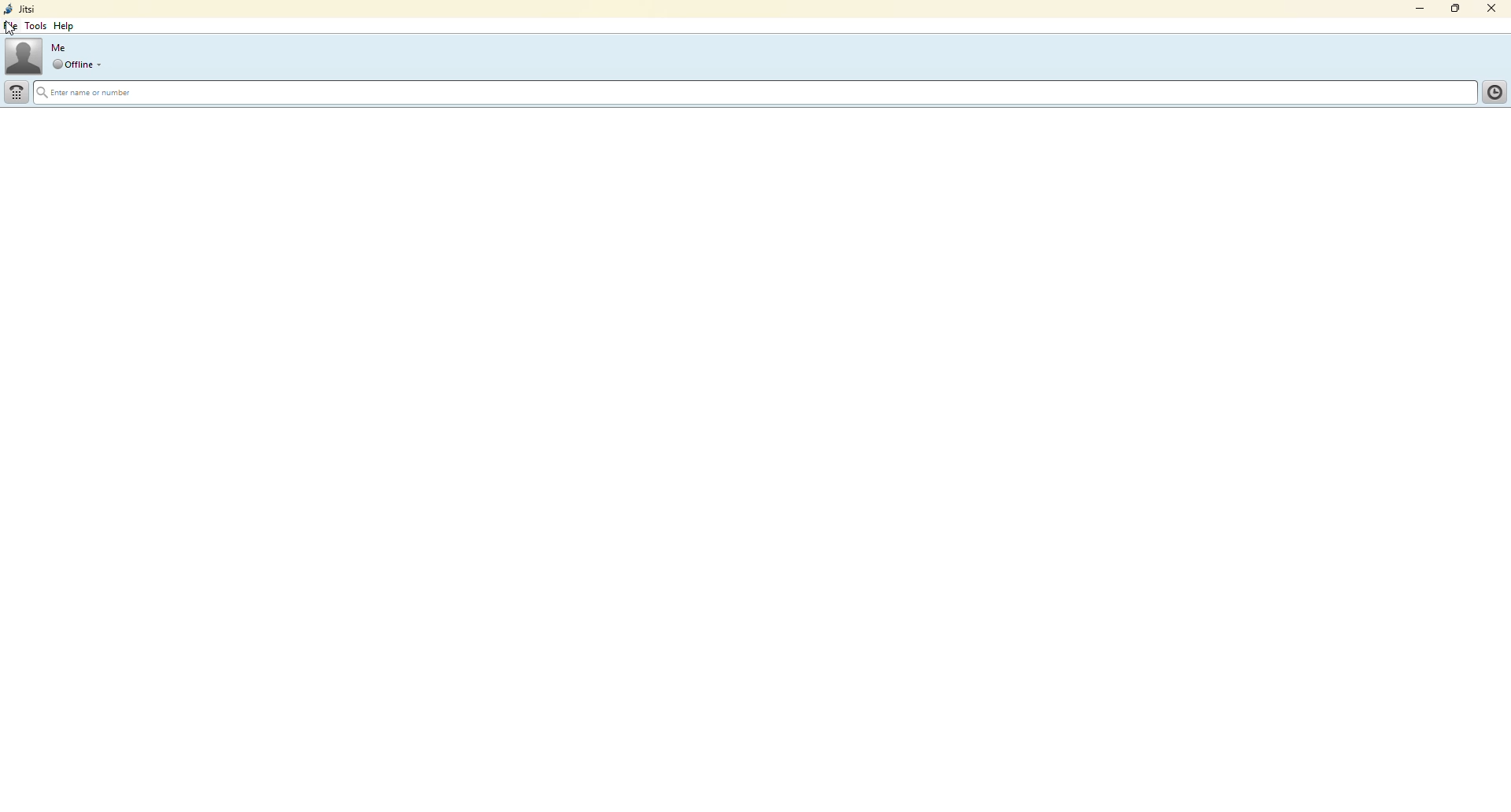 This screenshot has height=812, width=1511. I want to click on file, so click(12, 26).